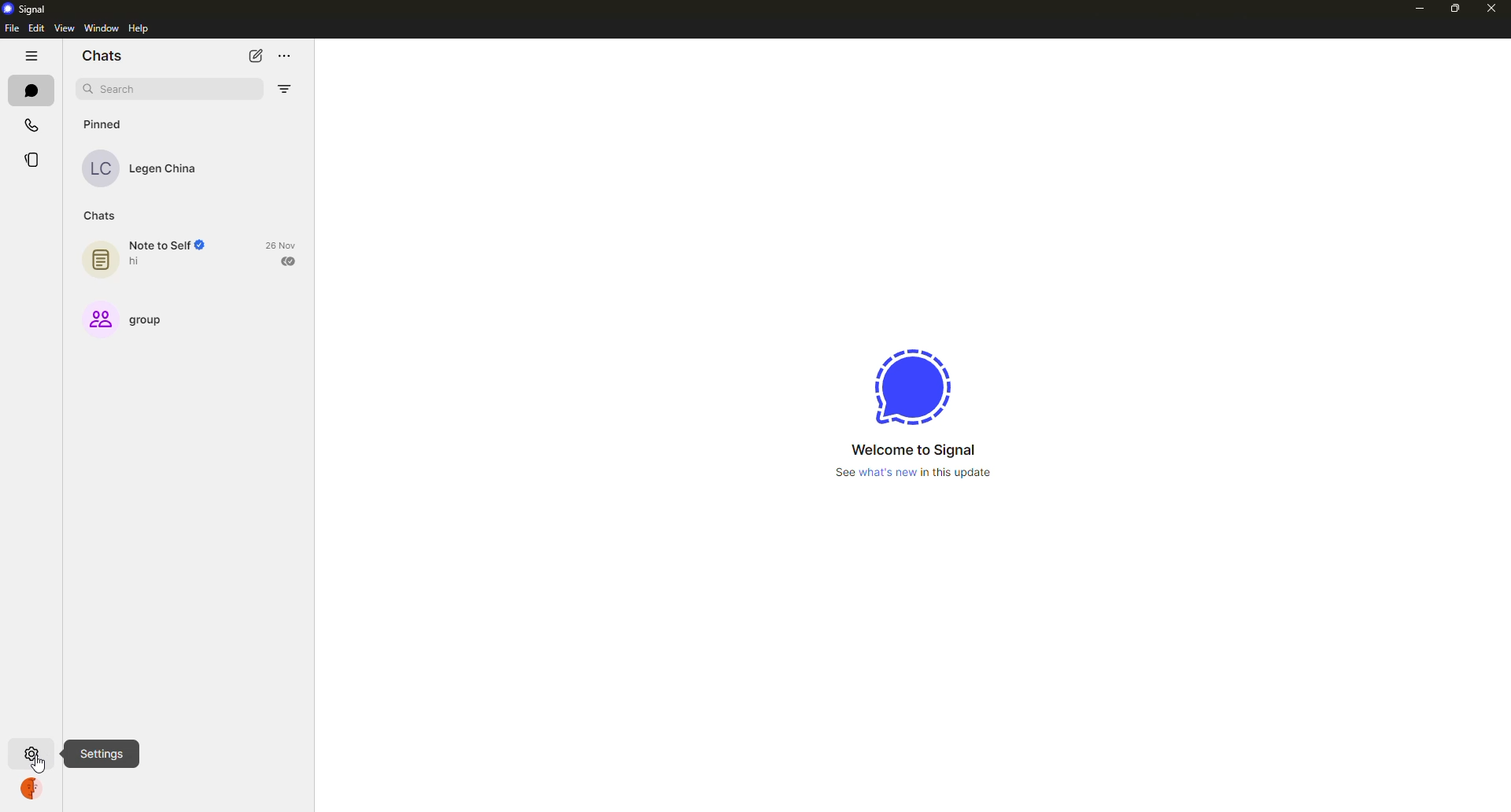  Describe the element at coordinates (12, 28) in the screenshot. I see `file` at that location.